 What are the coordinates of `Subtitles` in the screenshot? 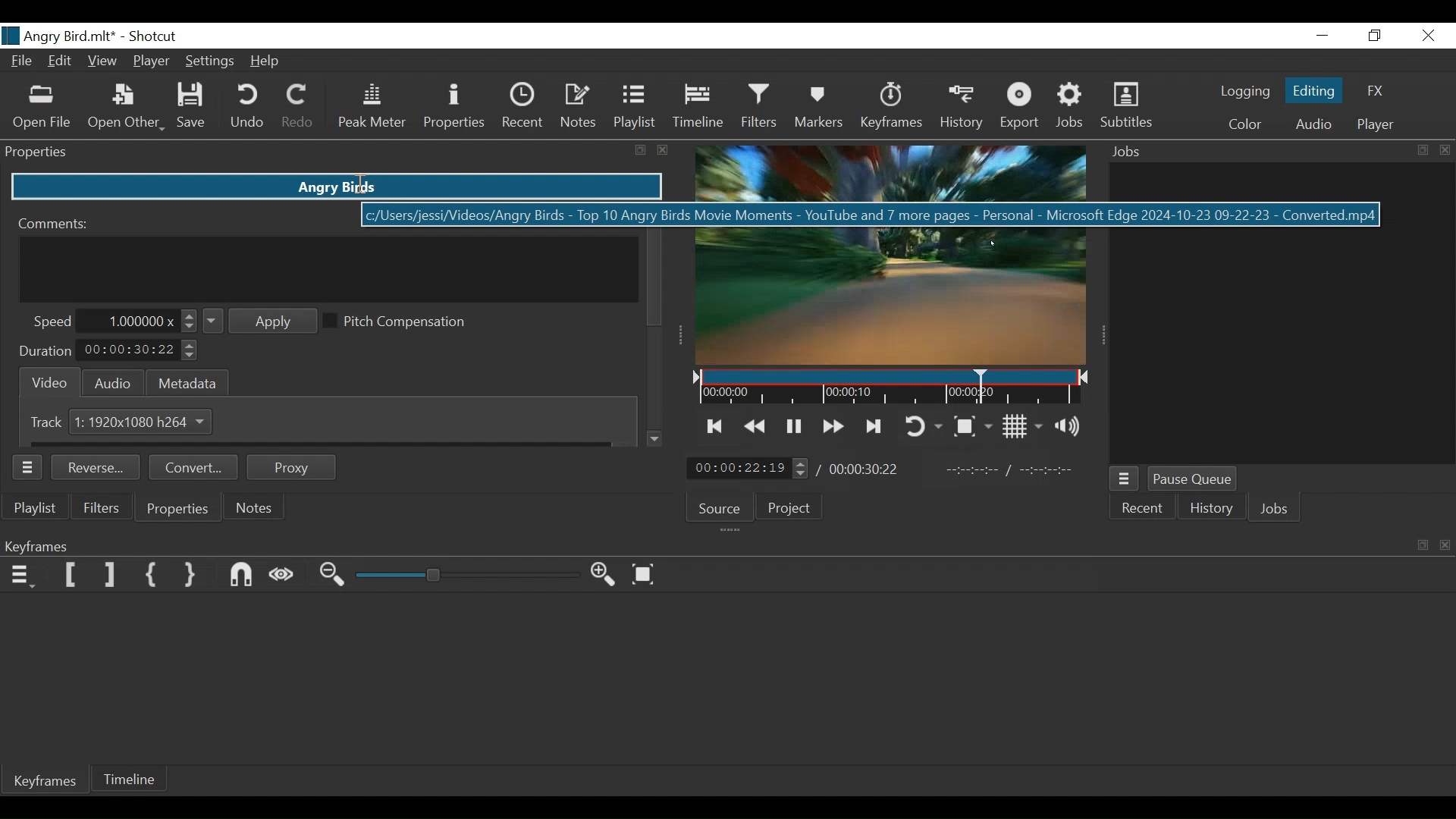 It's located at (1126, 106).